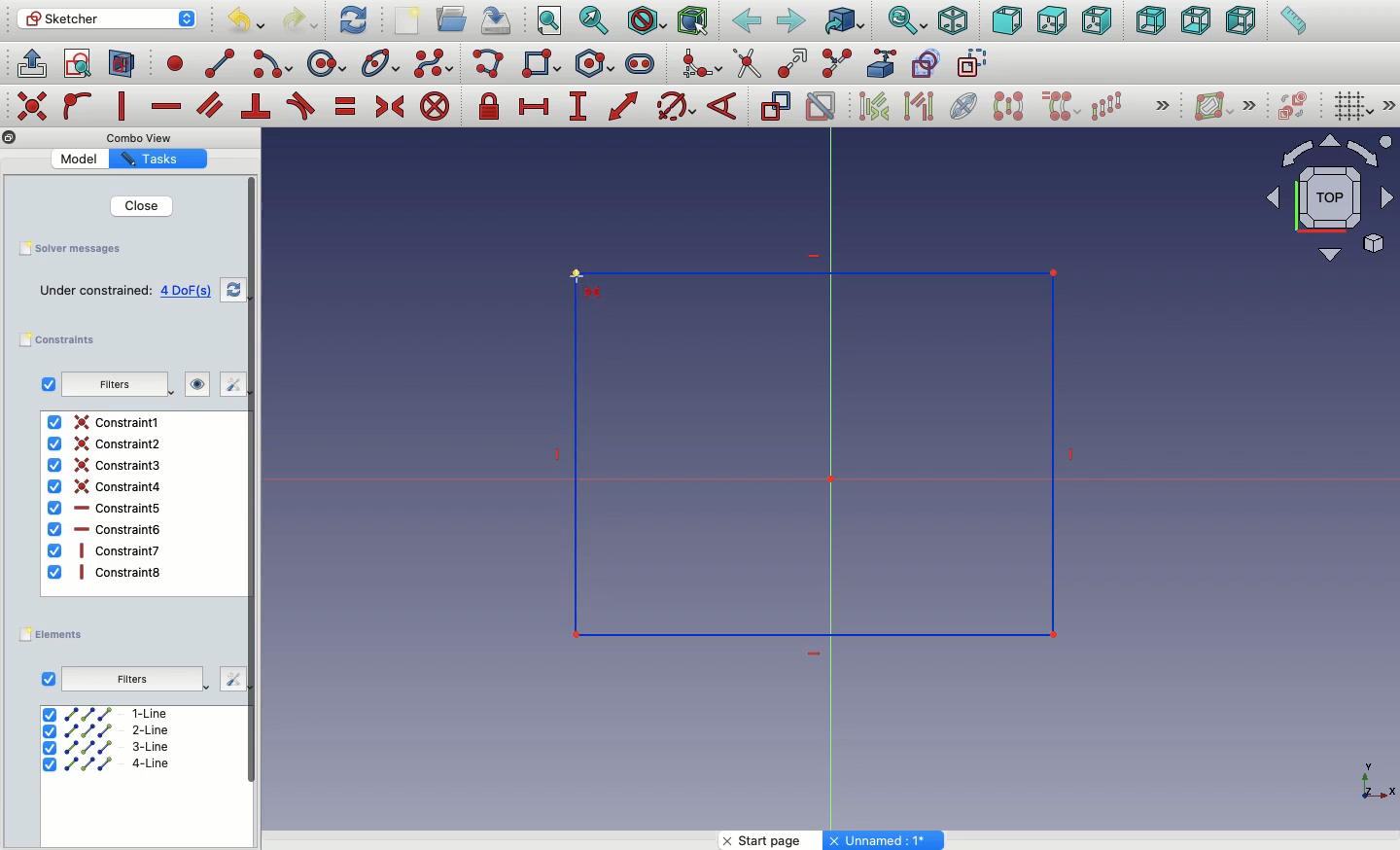 The height and width of the screenshot is (850, 1400). Describe the element at coordinates (49, 680) in the screenshot. I see `Checkbox` at that location.